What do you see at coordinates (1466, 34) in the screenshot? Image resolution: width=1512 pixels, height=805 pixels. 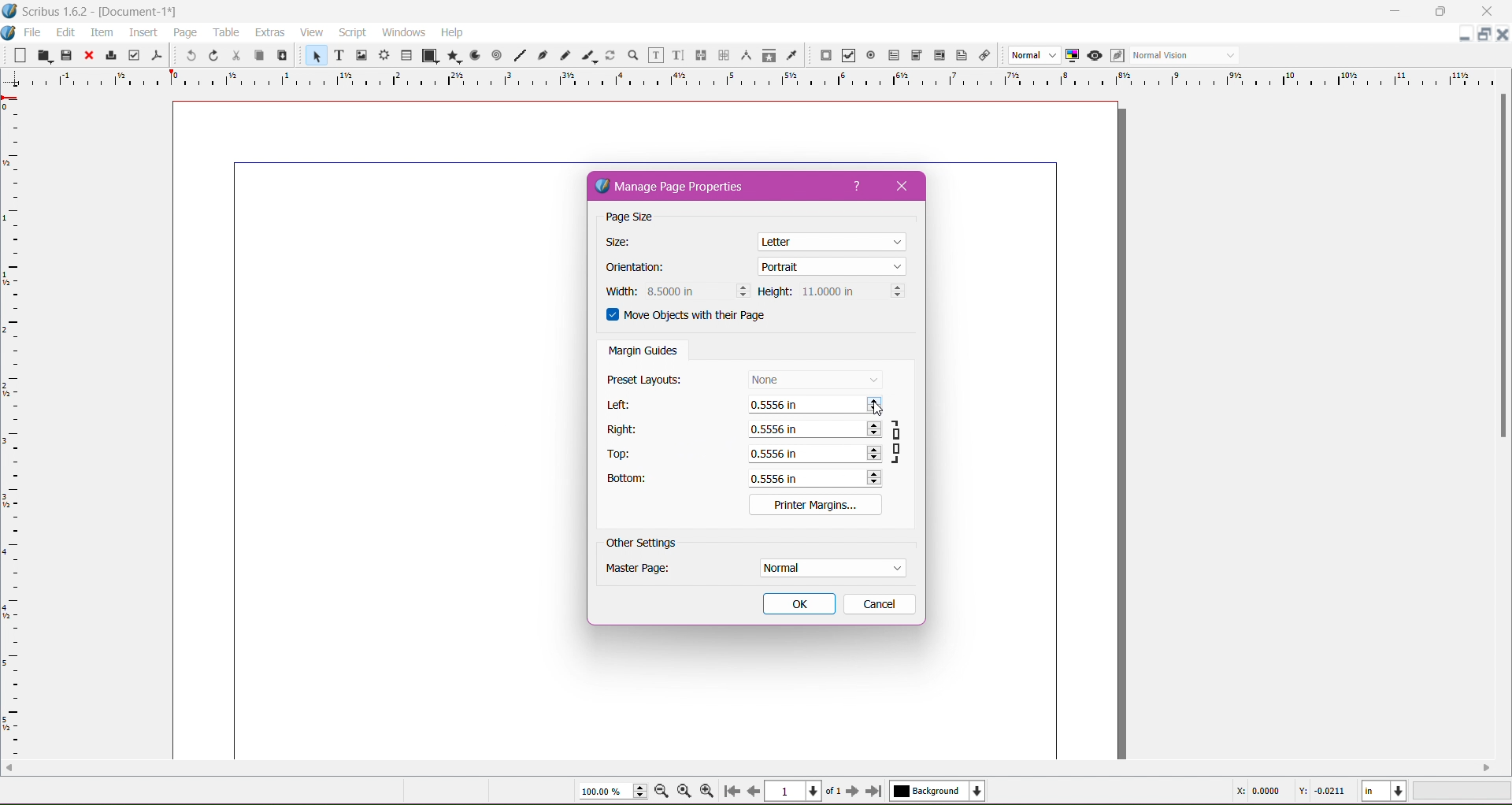 I see `Minimize Document` at bounding box center [1466, 34].